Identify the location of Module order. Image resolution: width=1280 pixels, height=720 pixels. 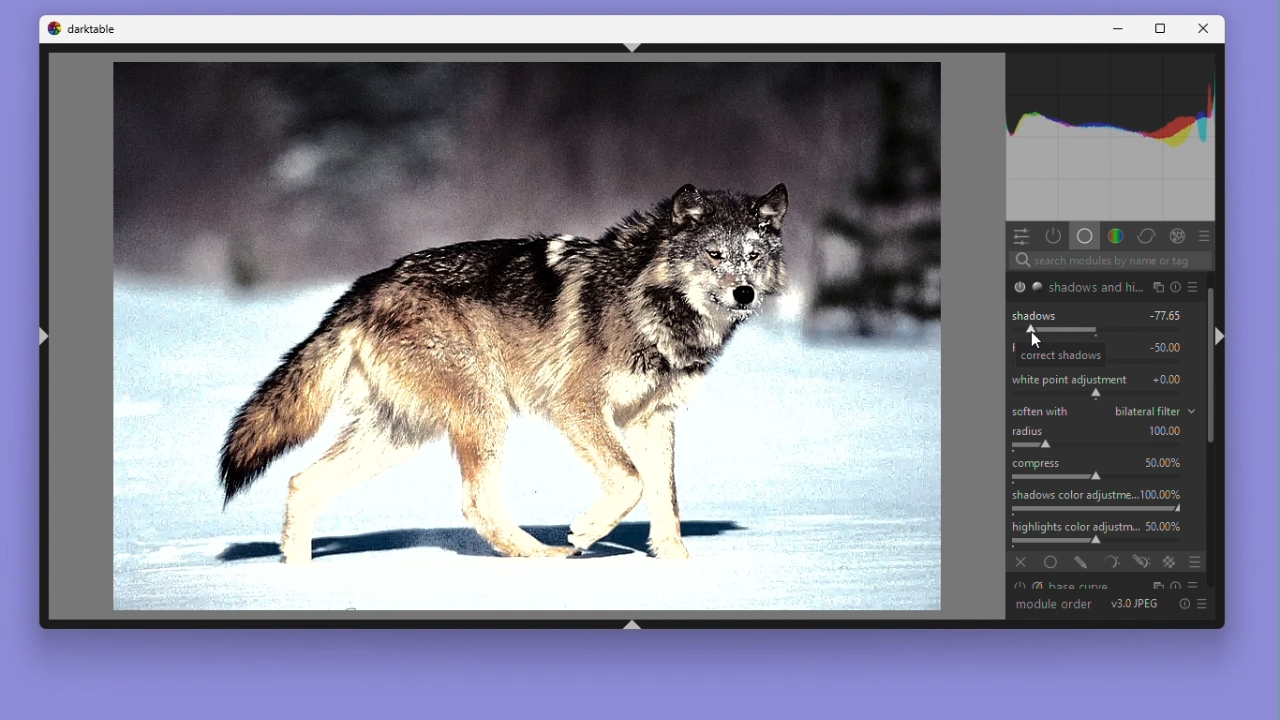
(1034, 606).